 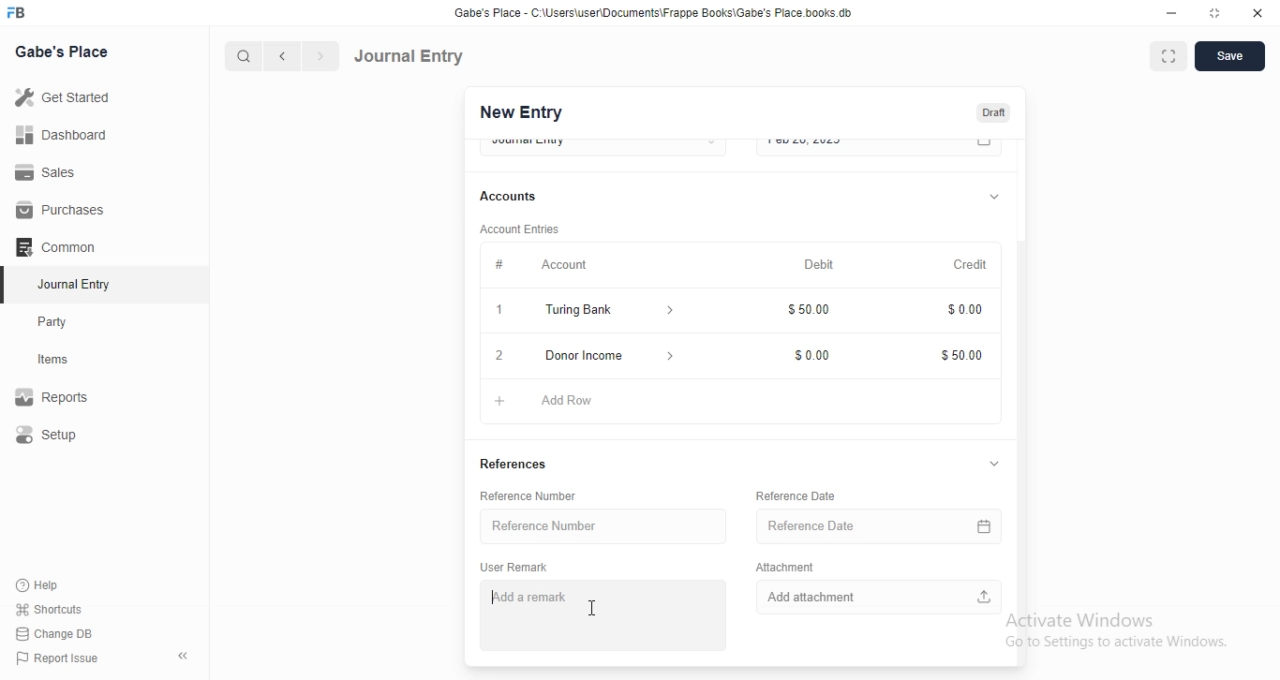 What do you see at coordinates (64, 171) in the screenshot?
I see `Sales` at bounding box center [64, 171].